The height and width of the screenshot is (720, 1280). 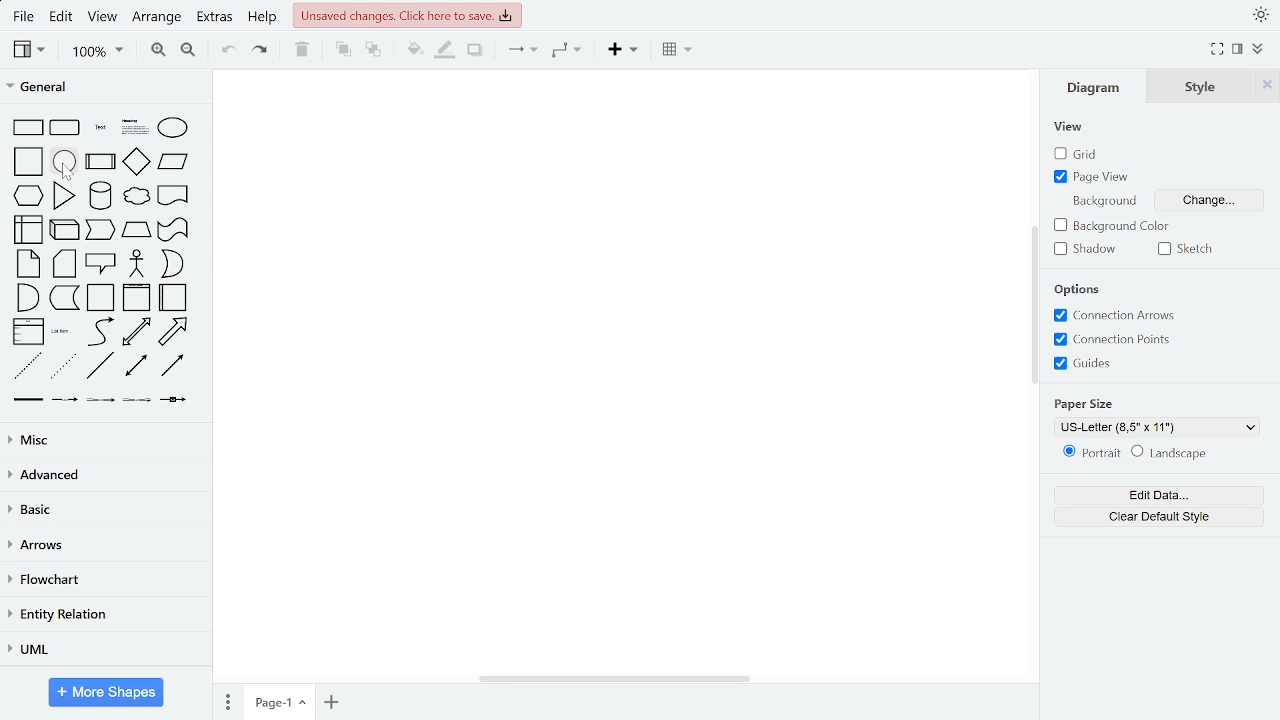 I want to click on insert page, so click(x=332, y=700).